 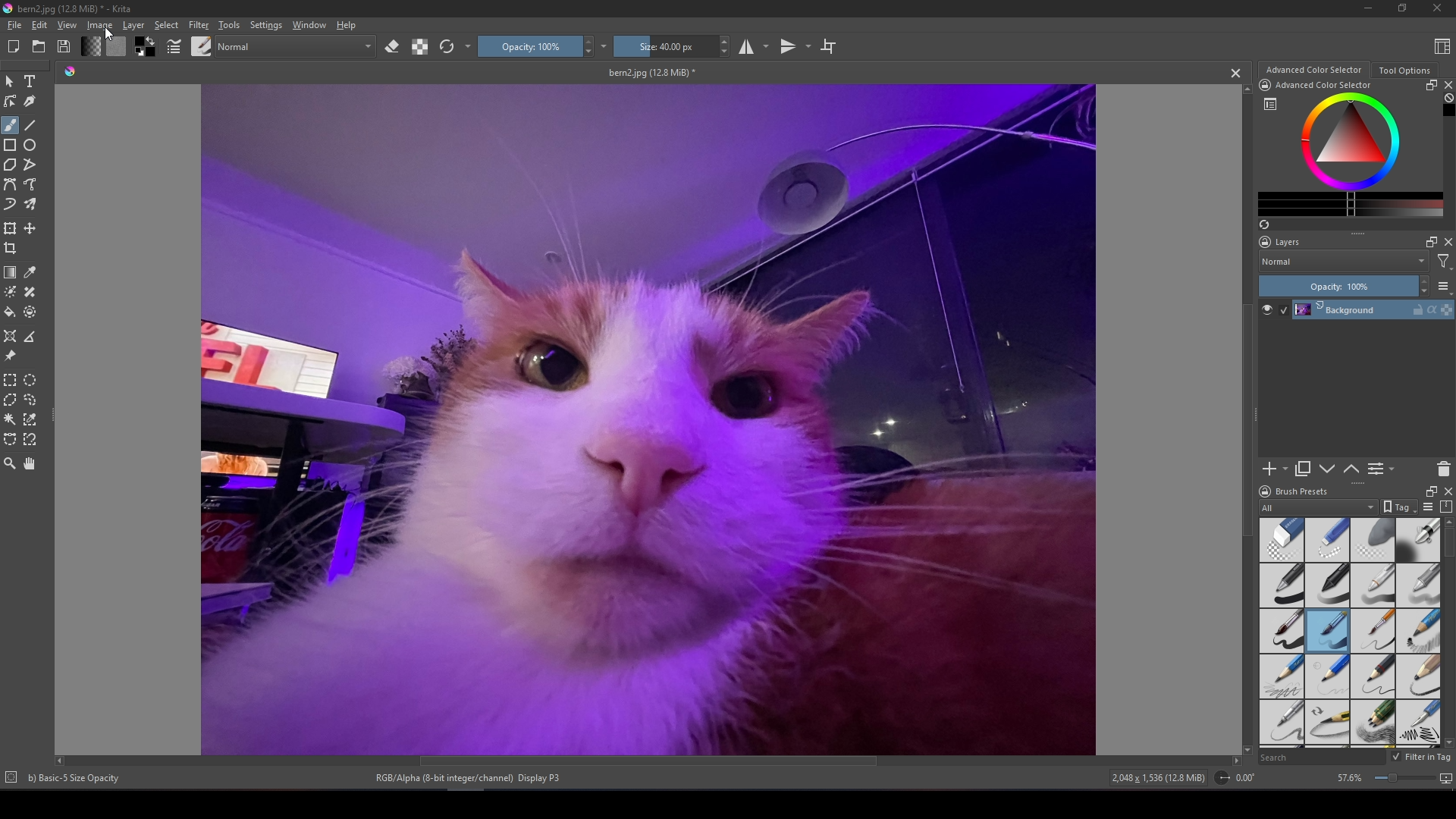 I want to click on Freehand selection tool, so click(x=30, y=400).